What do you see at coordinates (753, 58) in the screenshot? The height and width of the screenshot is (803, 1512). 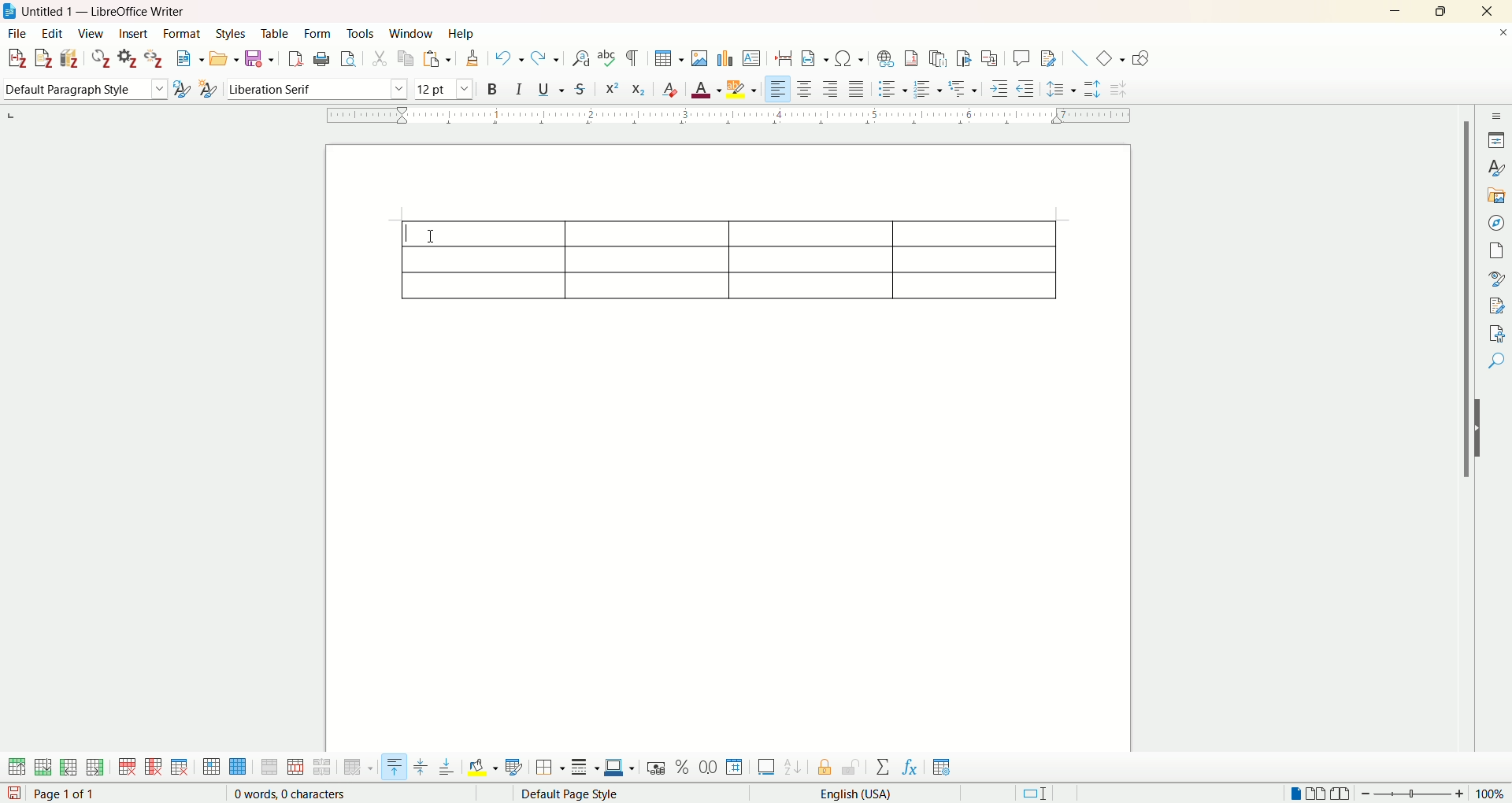 I see `insert text box` at bounding box center [753, 58].